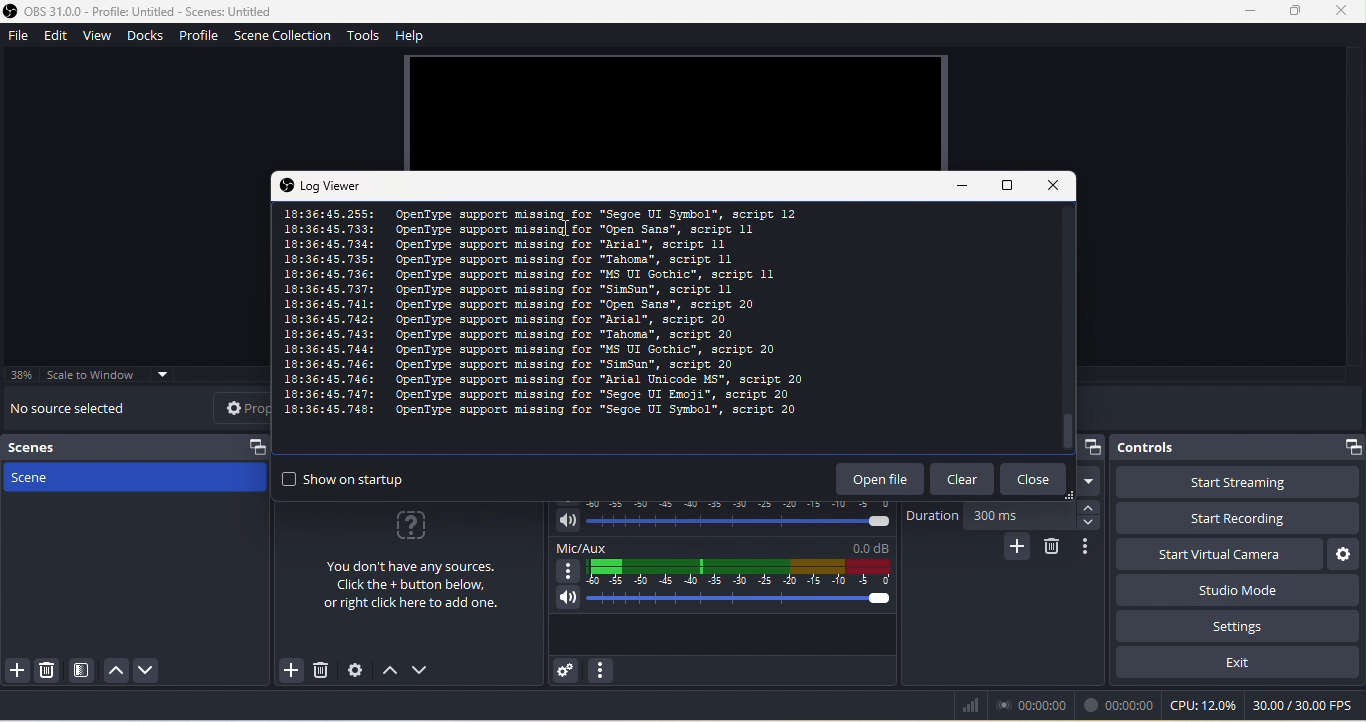  What do you see at coordinates (1039, 518) in the screenshot?
I see `300 ms` at bounding box center [1039, 518].